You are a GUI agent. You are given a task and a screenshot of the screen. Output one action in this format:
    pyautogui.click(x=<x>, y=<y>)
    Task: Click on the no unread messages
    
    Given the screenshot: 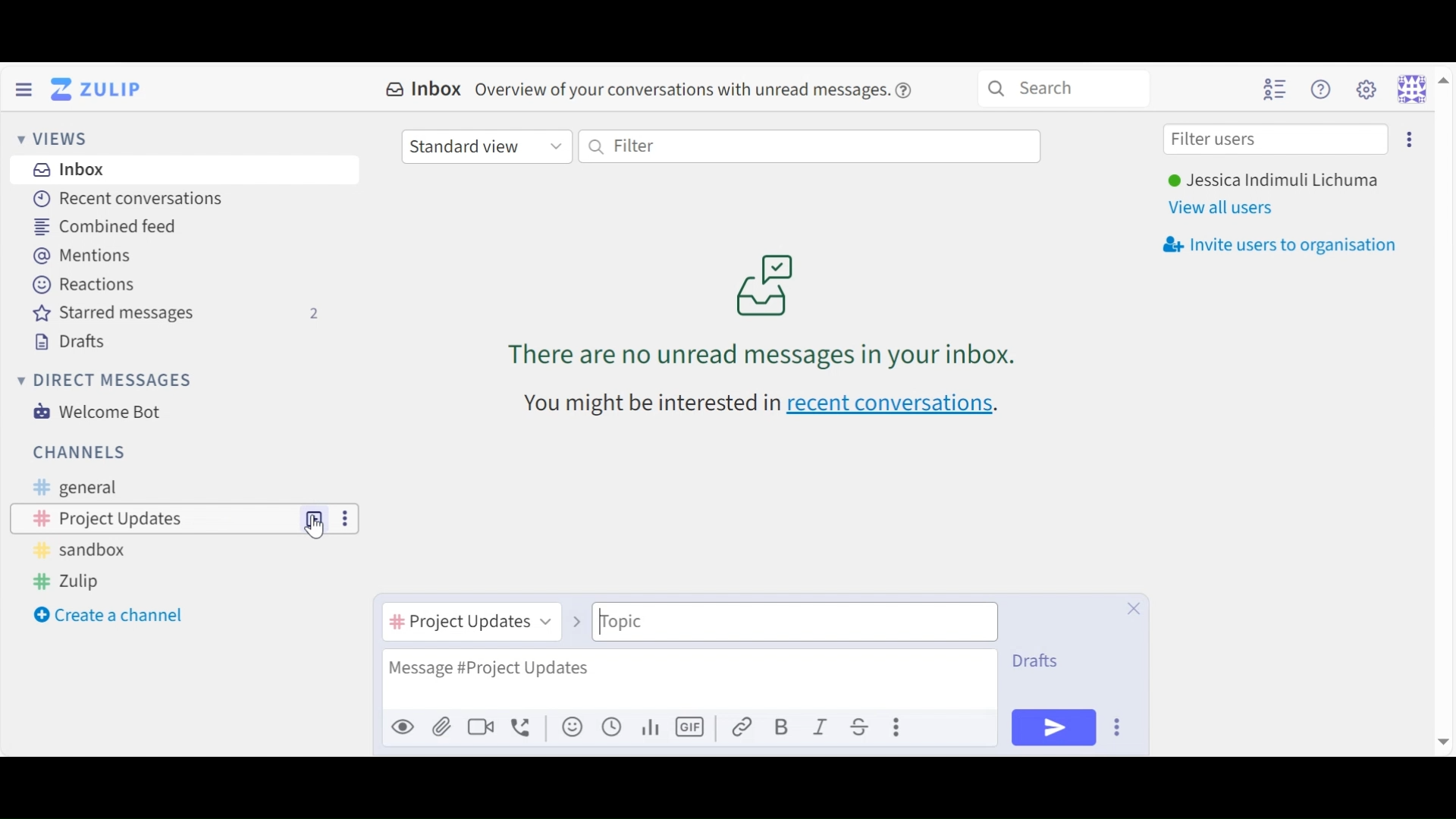 What is the action you would take?
    pyautogui.click(x=766, y=309)
    